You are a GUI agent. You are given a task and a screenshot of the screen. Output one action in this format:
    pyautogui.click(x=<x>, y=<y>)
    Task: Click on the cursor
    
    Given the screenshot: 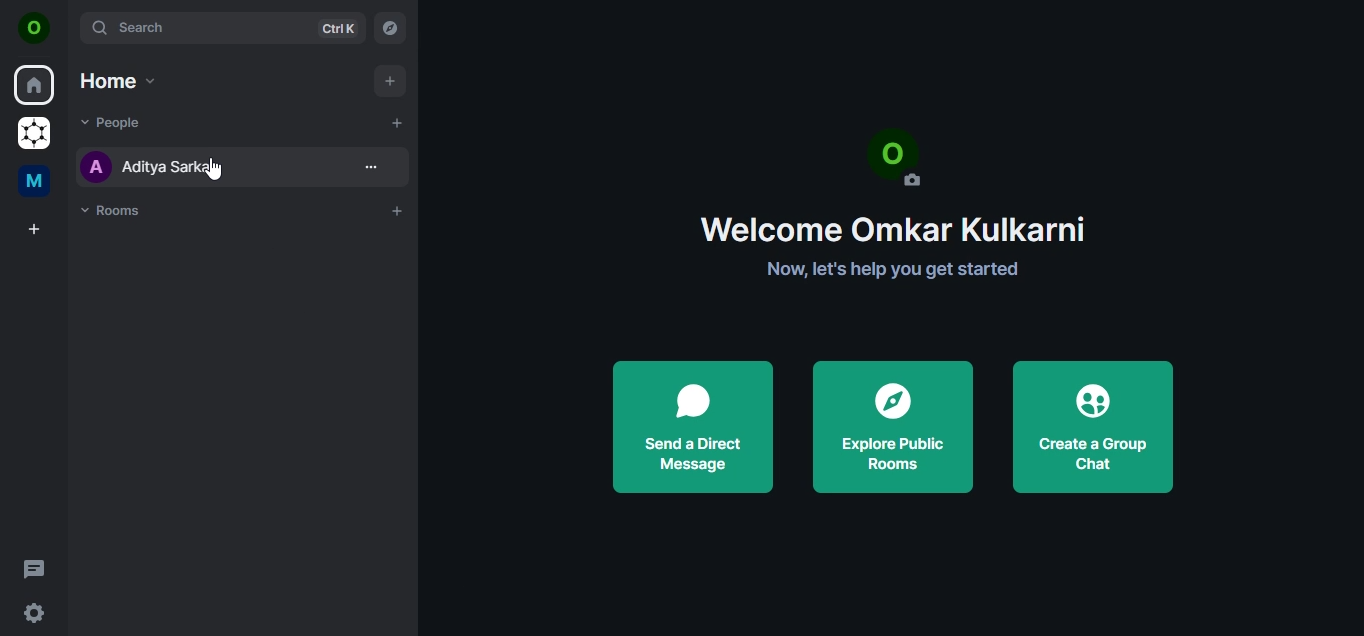 What is the action you would take?
    pyautogui.click(x=214, y=169)
    